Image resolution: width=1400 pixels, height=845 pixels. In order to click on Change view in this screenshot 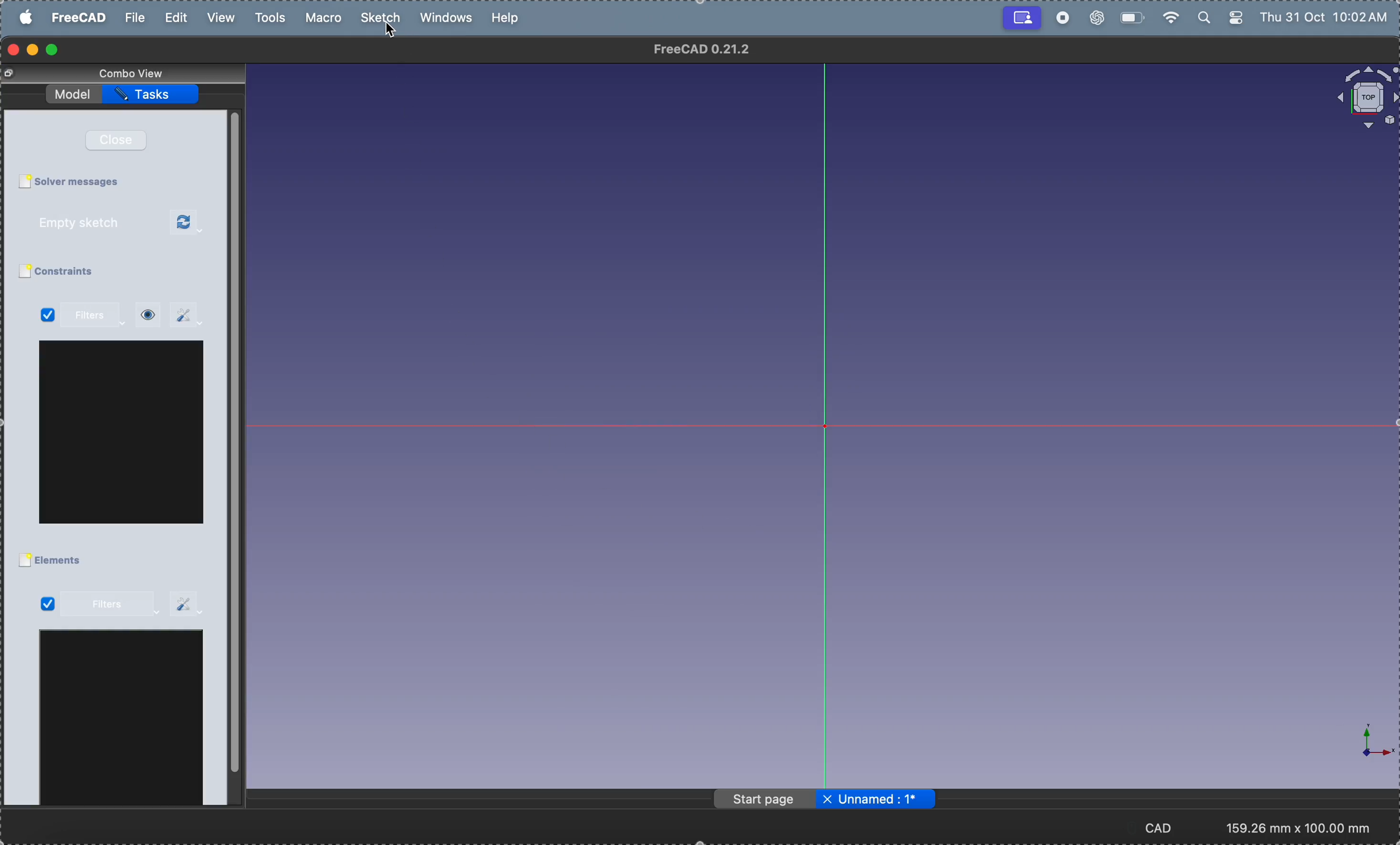, I will do `click(12, 74)`.